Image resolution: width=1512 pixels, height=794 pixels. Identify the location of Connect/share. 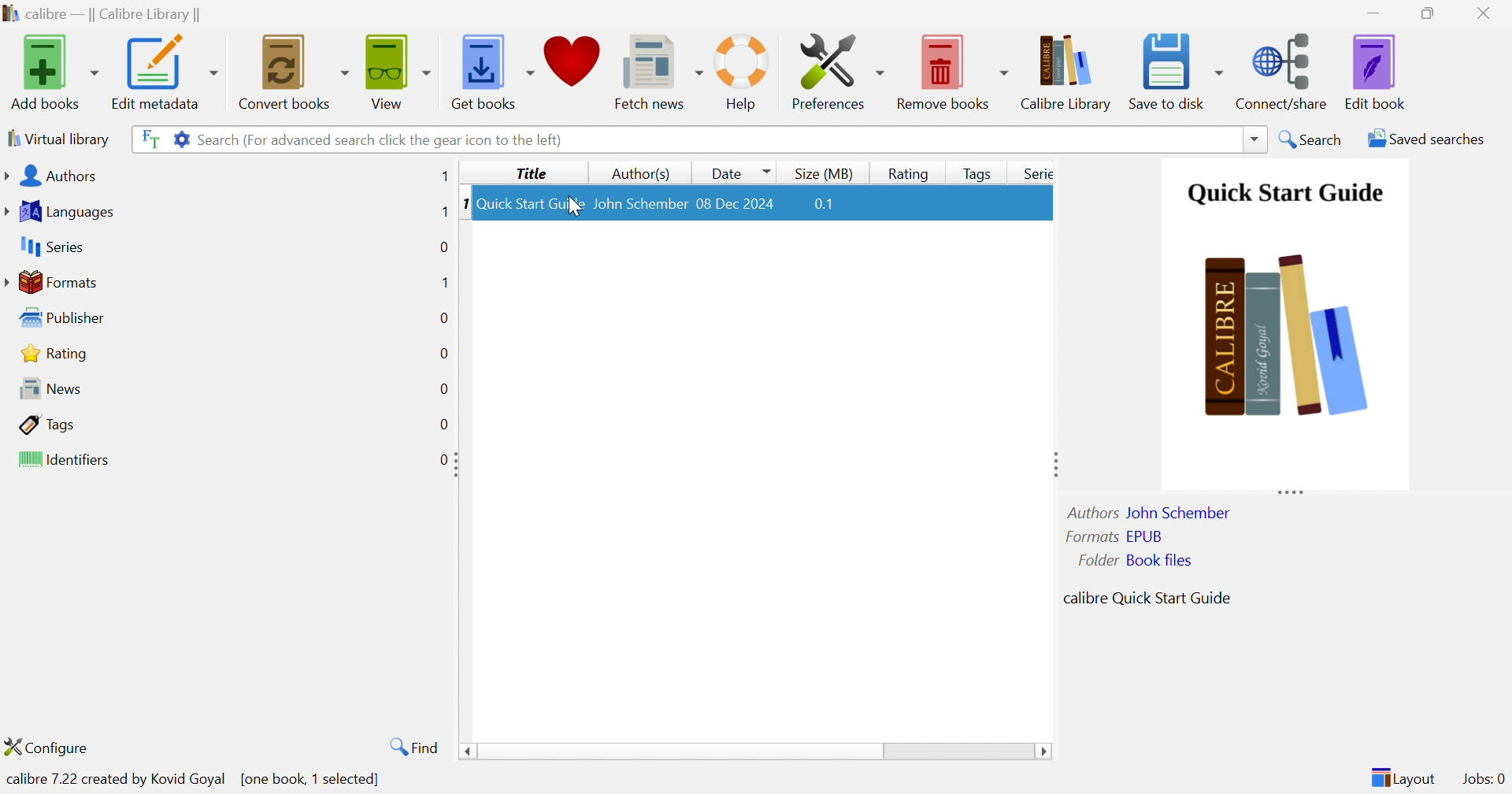
(1283, 72).